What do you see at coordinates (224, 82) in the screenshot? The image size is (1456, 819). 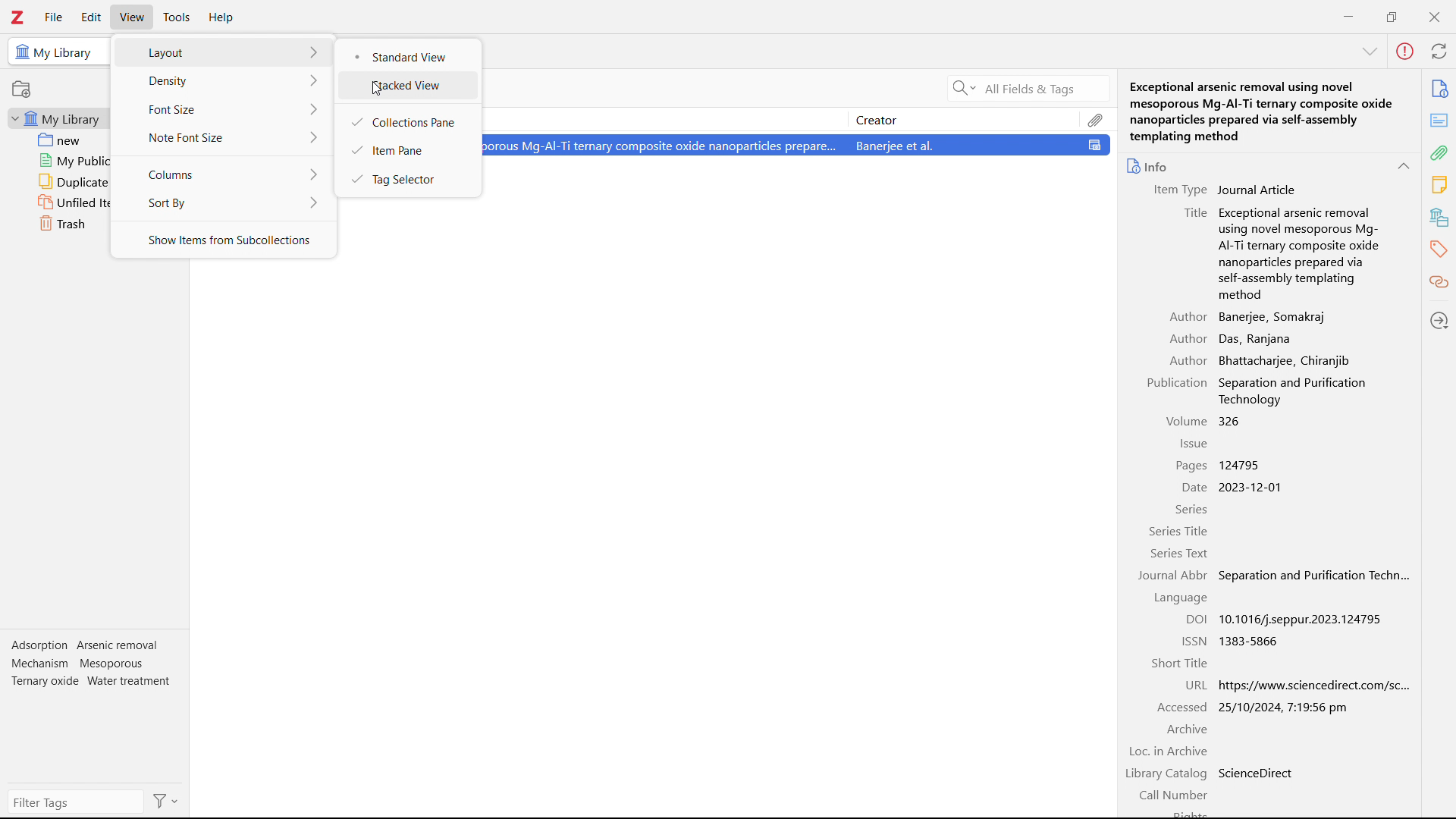 I see `density` at bounding box center [224, 82].